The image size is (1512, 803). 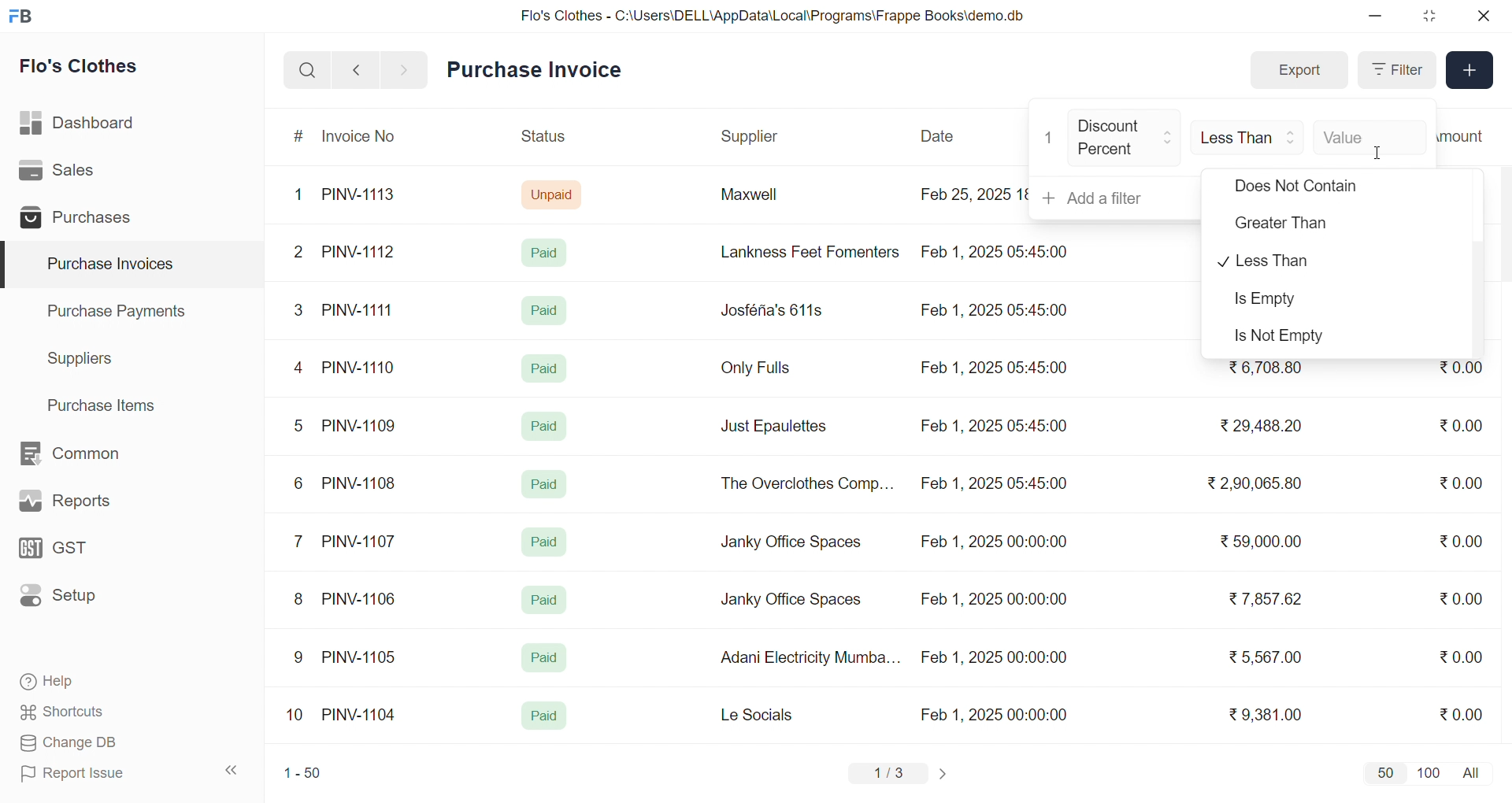 What do you see at coordinates (996, 368) in the screenshot?
I see `Feb 1, 2025 05:45:00` at bounding box center [996, 368].